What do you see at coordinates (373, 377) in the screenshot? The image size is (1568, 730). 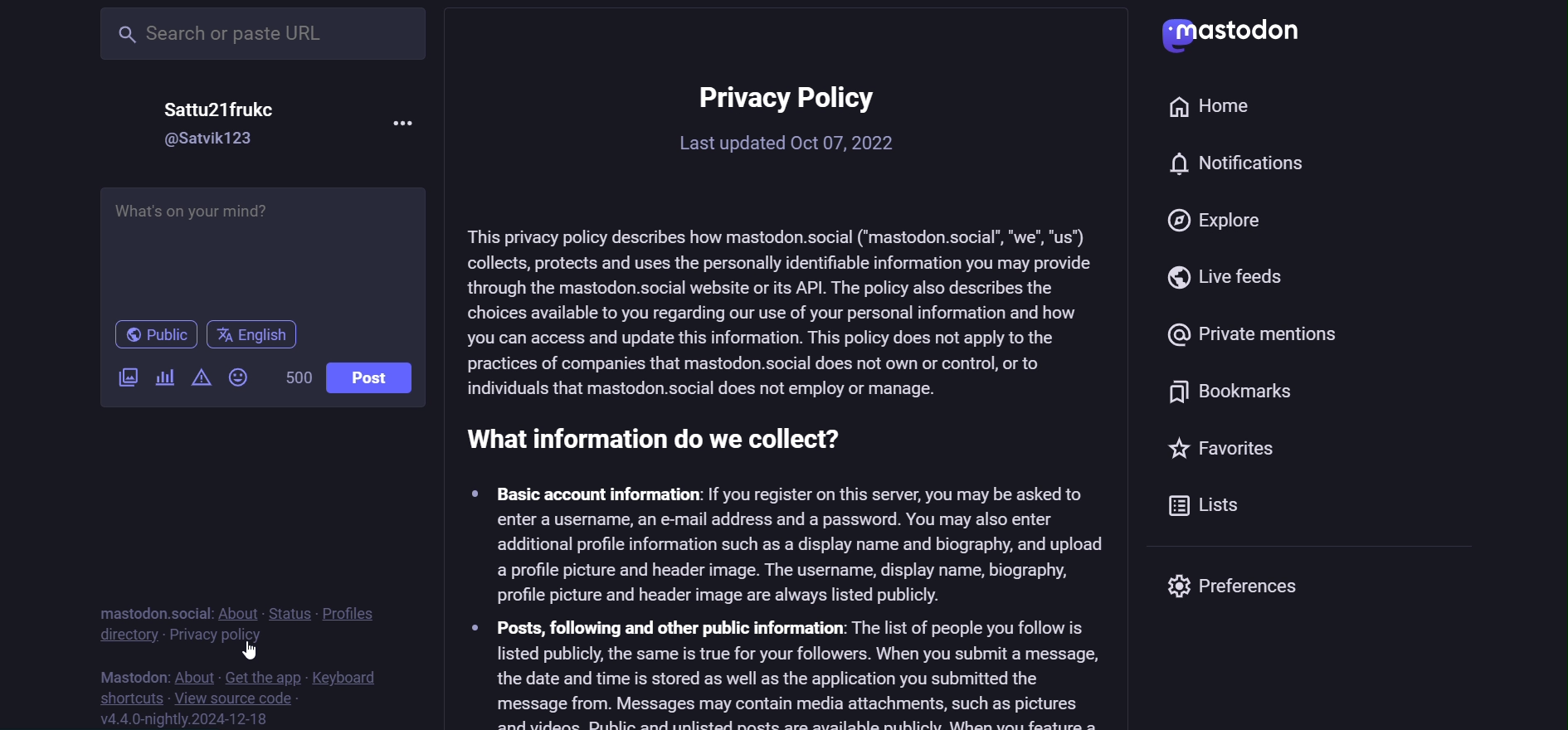 I see `post` at bounding box center [373, 377].